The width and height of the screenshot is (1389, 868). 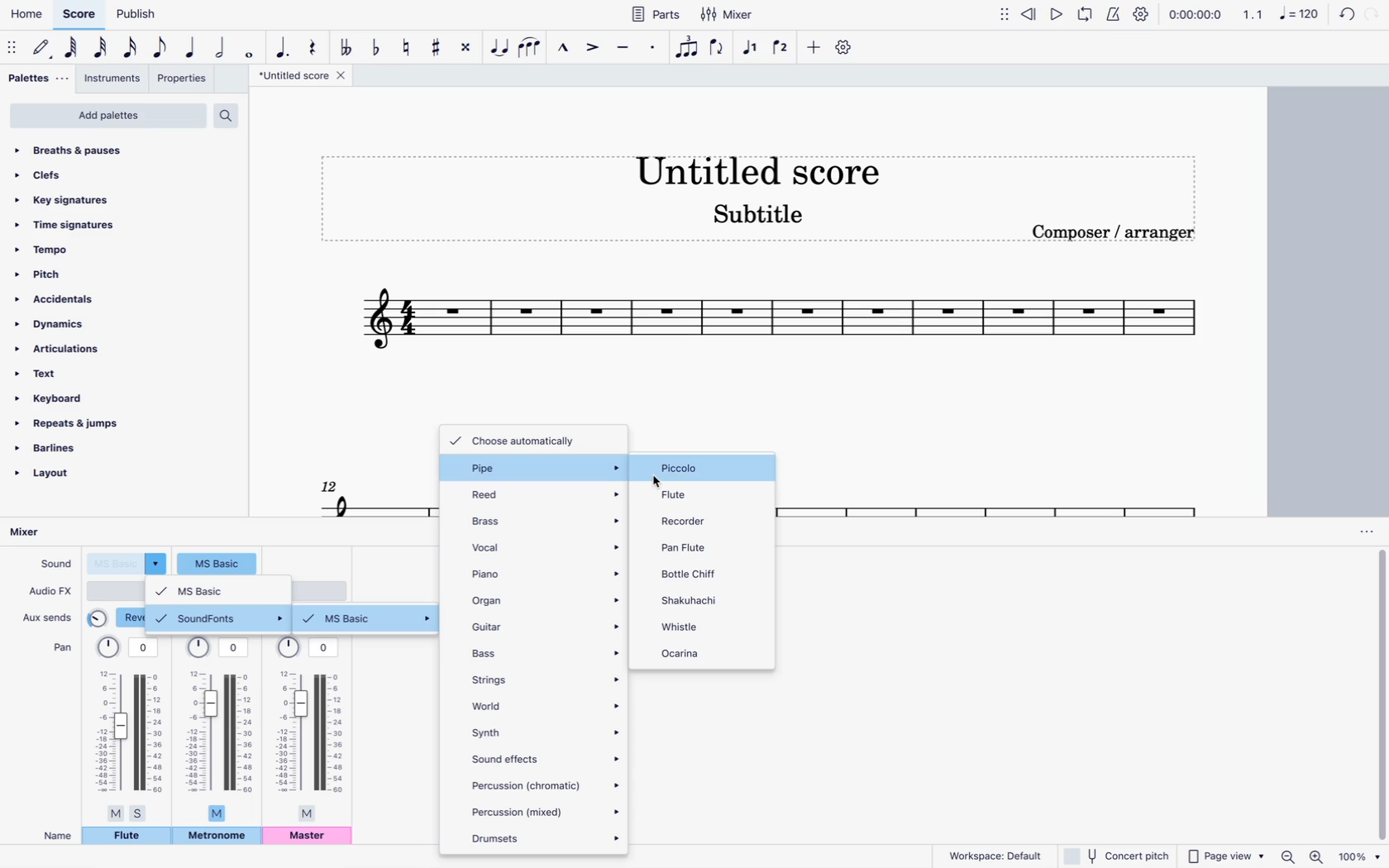 I want to click on world, so click(x=544, y=703).